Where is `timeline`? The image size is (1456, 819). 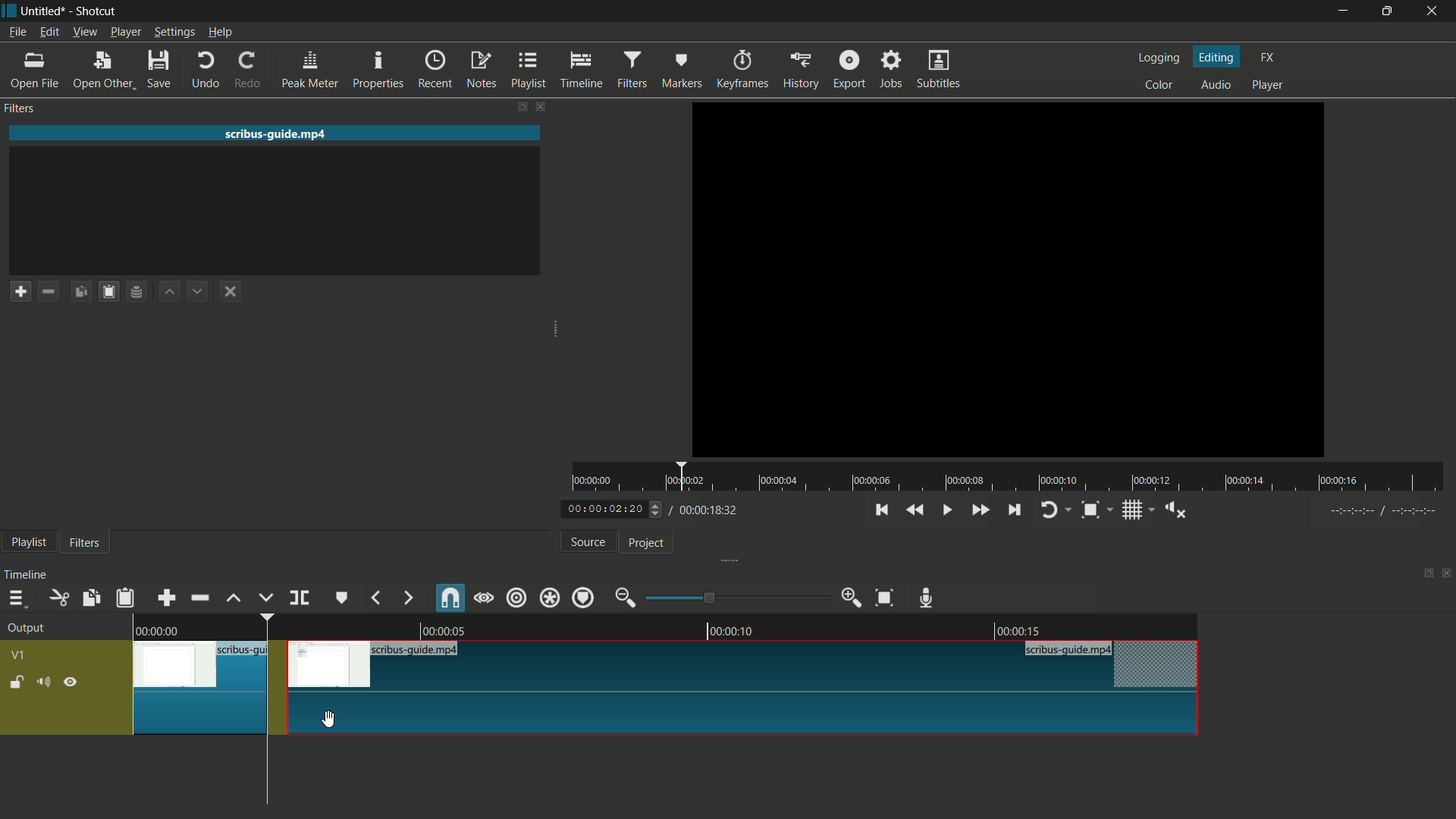 timeline is located at coordinates (26, 575).